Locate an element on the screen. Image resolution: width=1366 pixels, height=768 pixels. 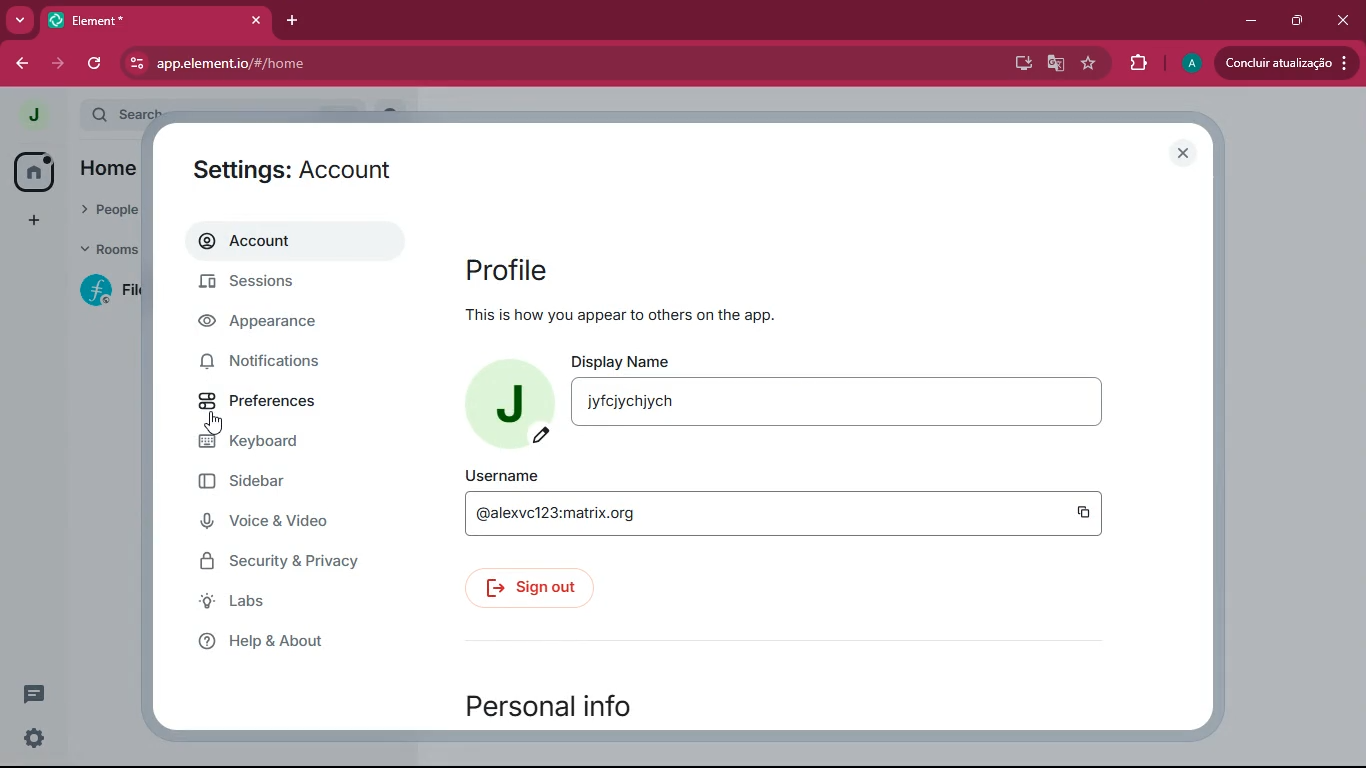
profile is located at coordinates (511, 268).